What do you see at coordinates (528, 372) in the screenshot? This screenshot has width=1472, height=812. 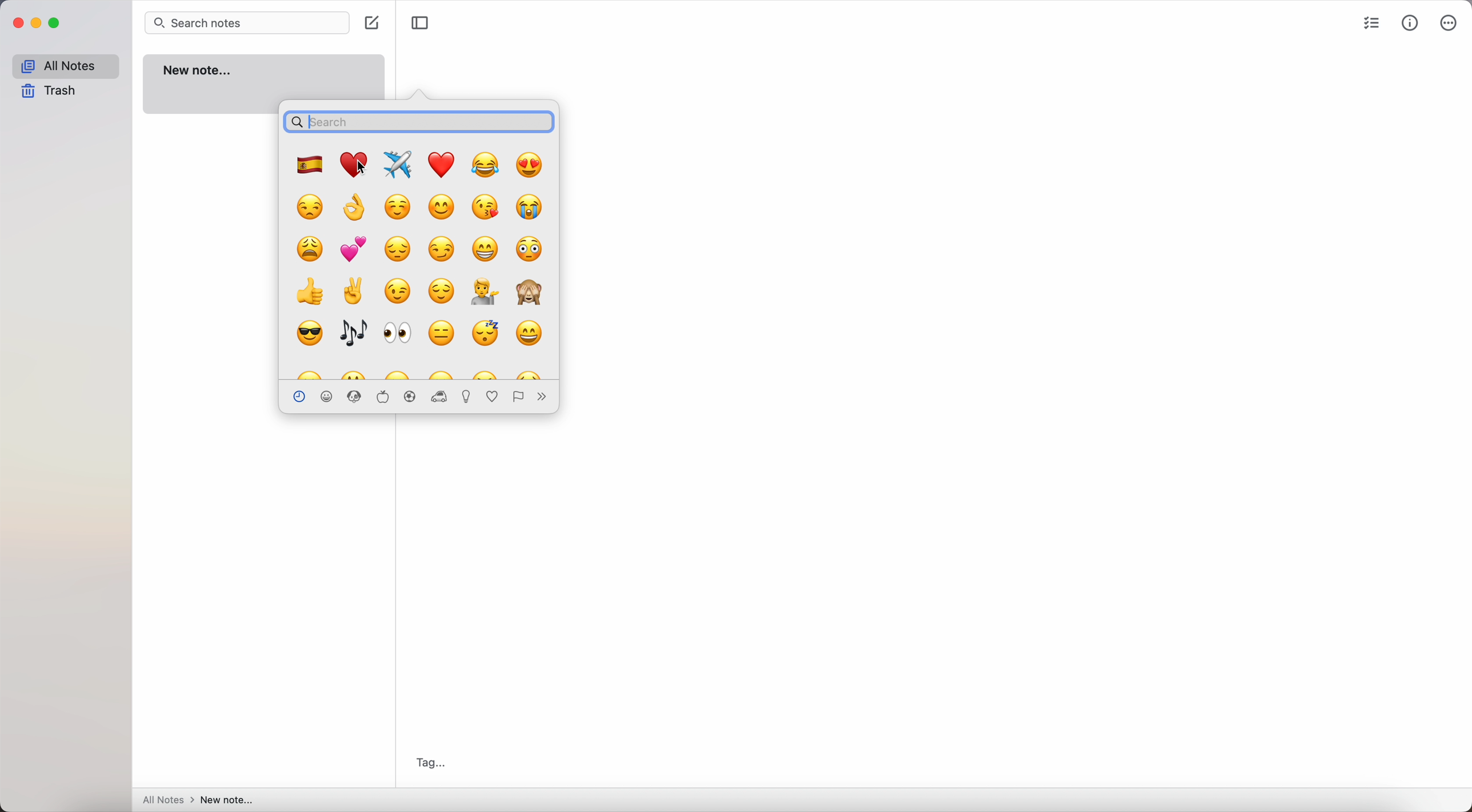 I see `emoji` at bounding box center [528, 372].